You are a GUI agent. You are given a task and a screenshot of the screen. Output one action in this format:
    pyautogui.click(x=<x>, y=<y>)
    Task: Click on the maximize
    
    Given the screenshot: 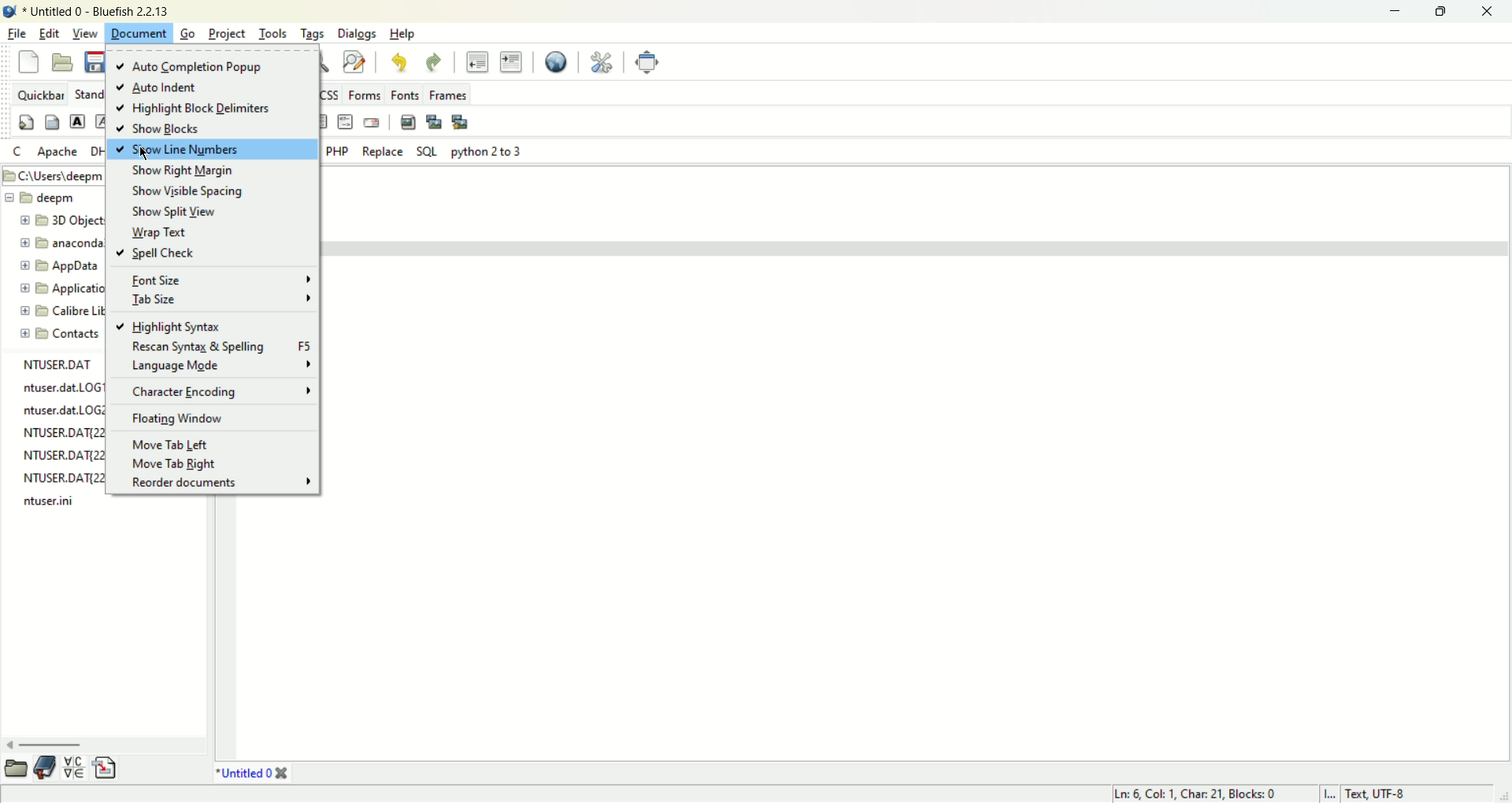 What is the action you would take?
    pyautogui.click(x=1437, y=13)
    